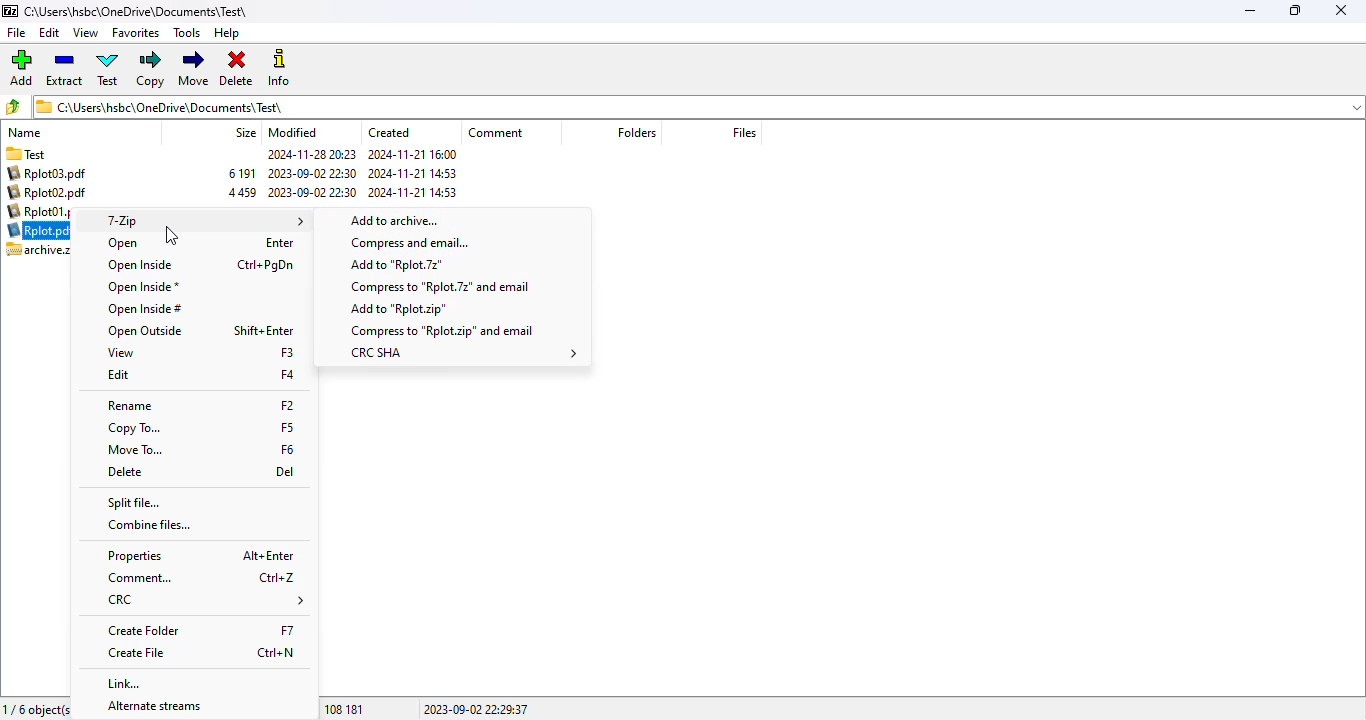 The height and width of the screenshot is (720, 1366). Describe the element at coordinates (289, 375) in the screenshot. I see `shortcut for edit` at that location.